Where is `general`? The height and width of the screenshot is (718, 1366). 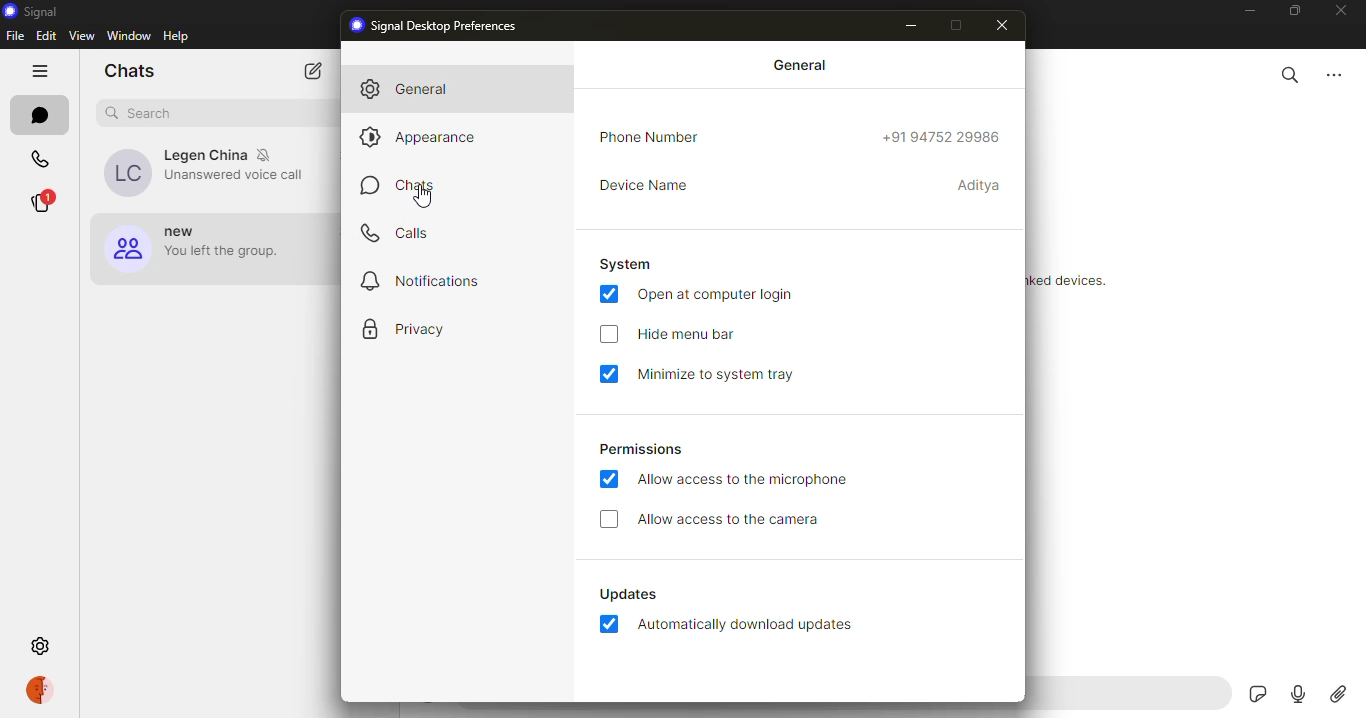
general is located at coordinates (802, 65).